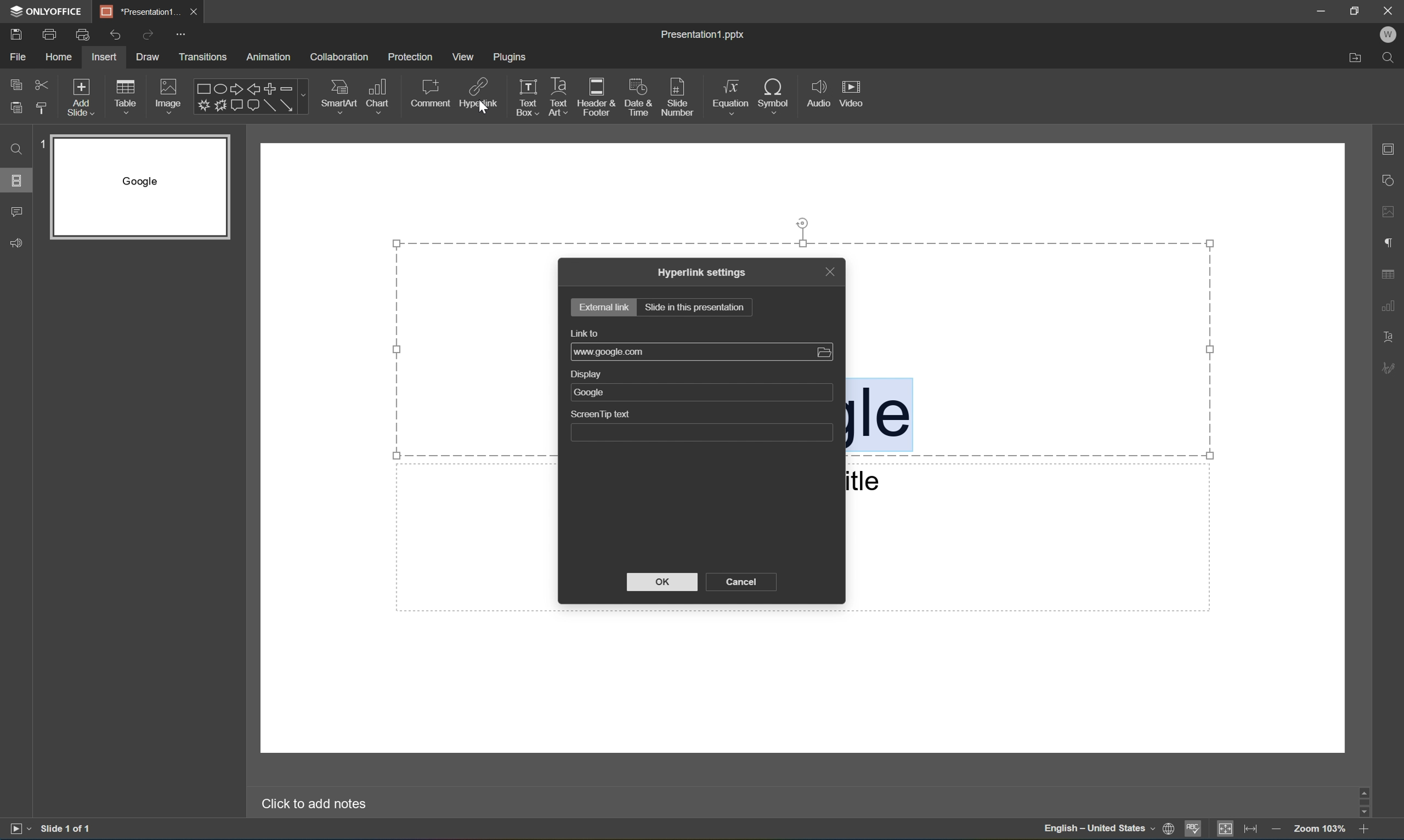  I want to click on *Presentation1..., so click(139, 9).